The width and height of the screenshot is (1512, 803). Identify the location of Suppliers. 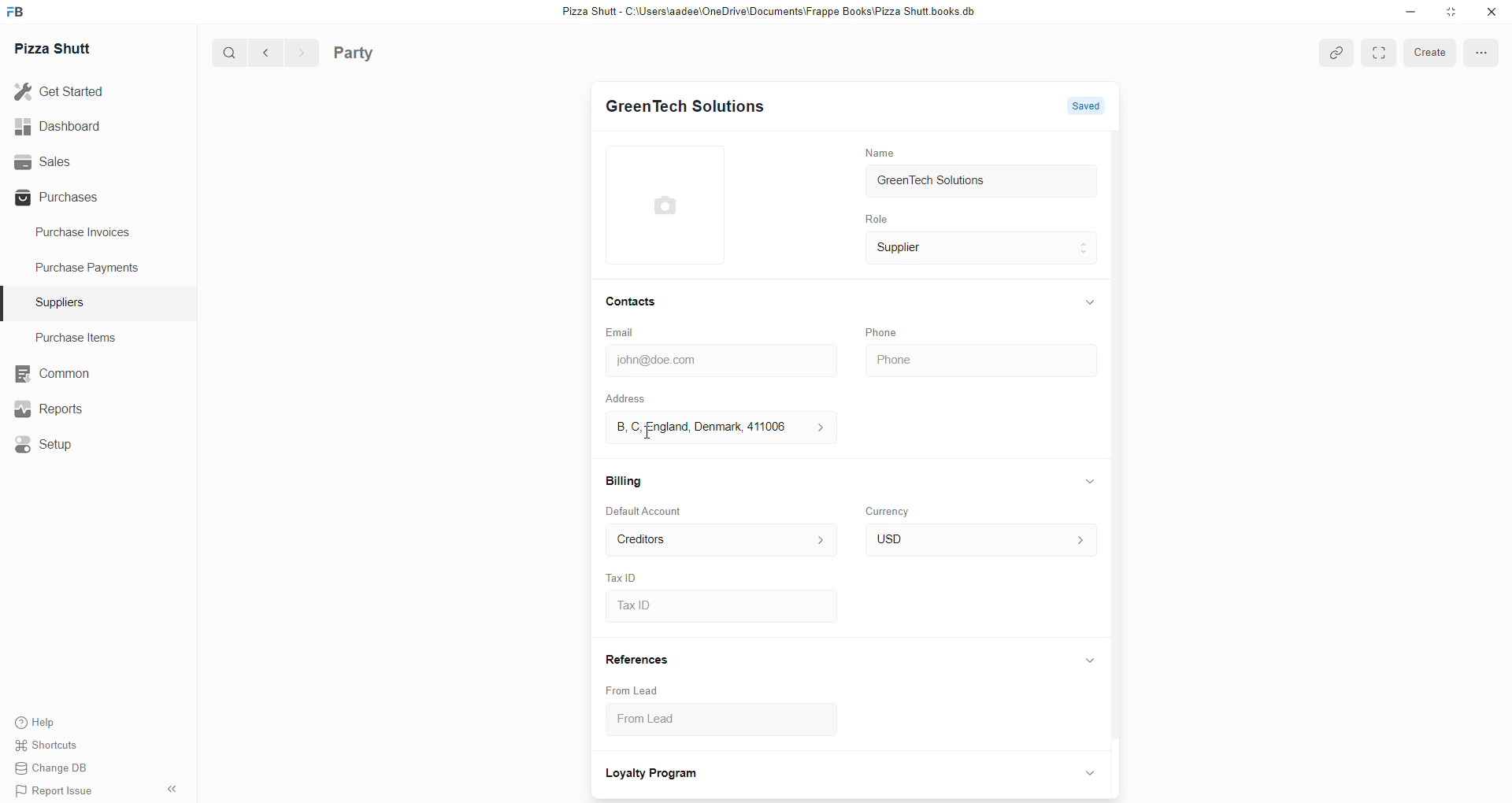
(63, 301).